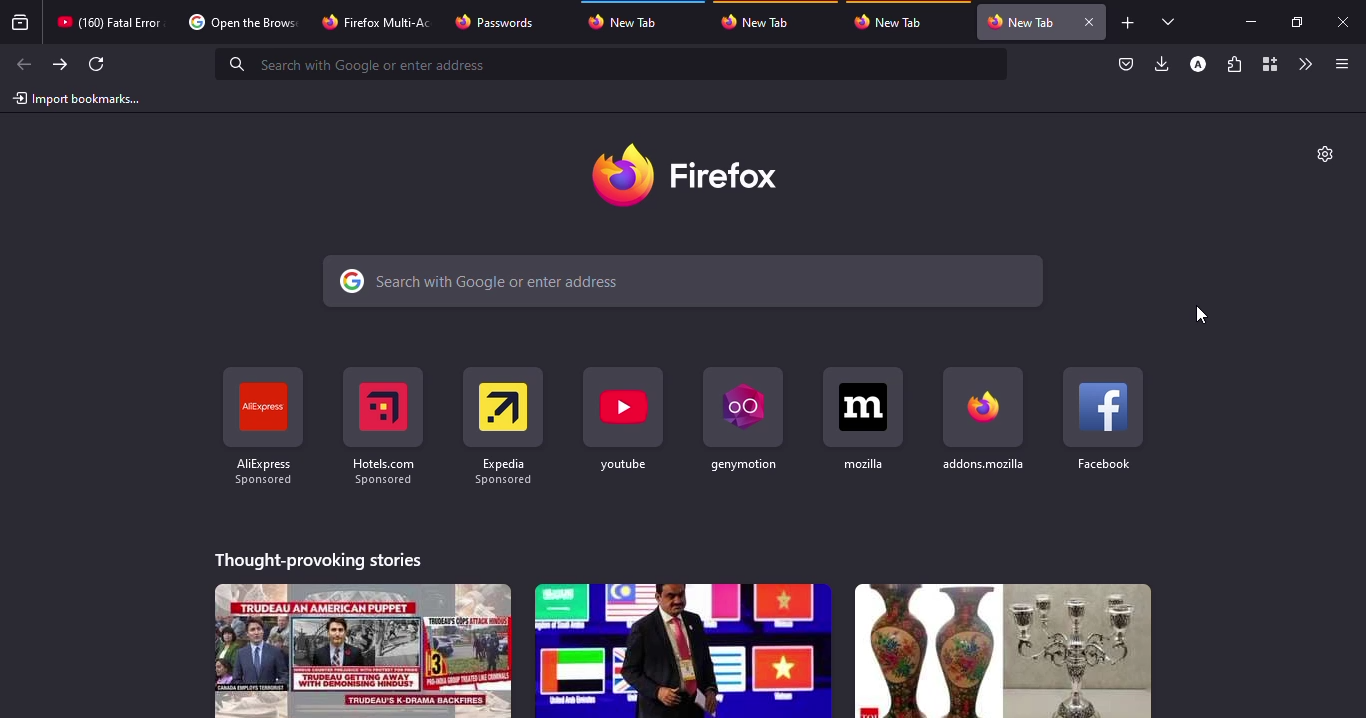 The width and height of the screenshot is (1366, 718). I want to click on minimize, so click(1247, 19).